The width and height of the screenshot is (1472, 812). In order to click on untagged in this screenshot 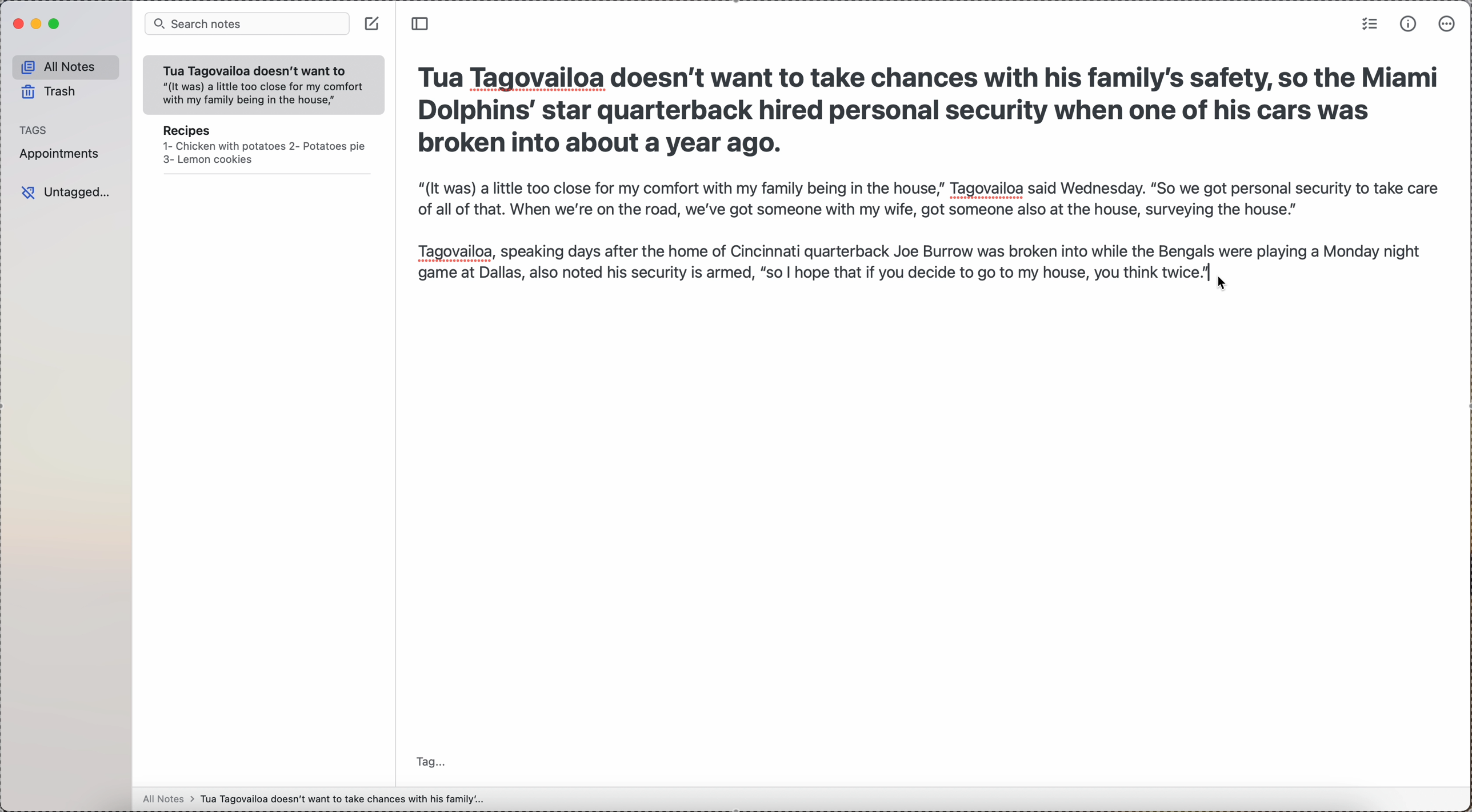, I will do `click(66, 190)`.